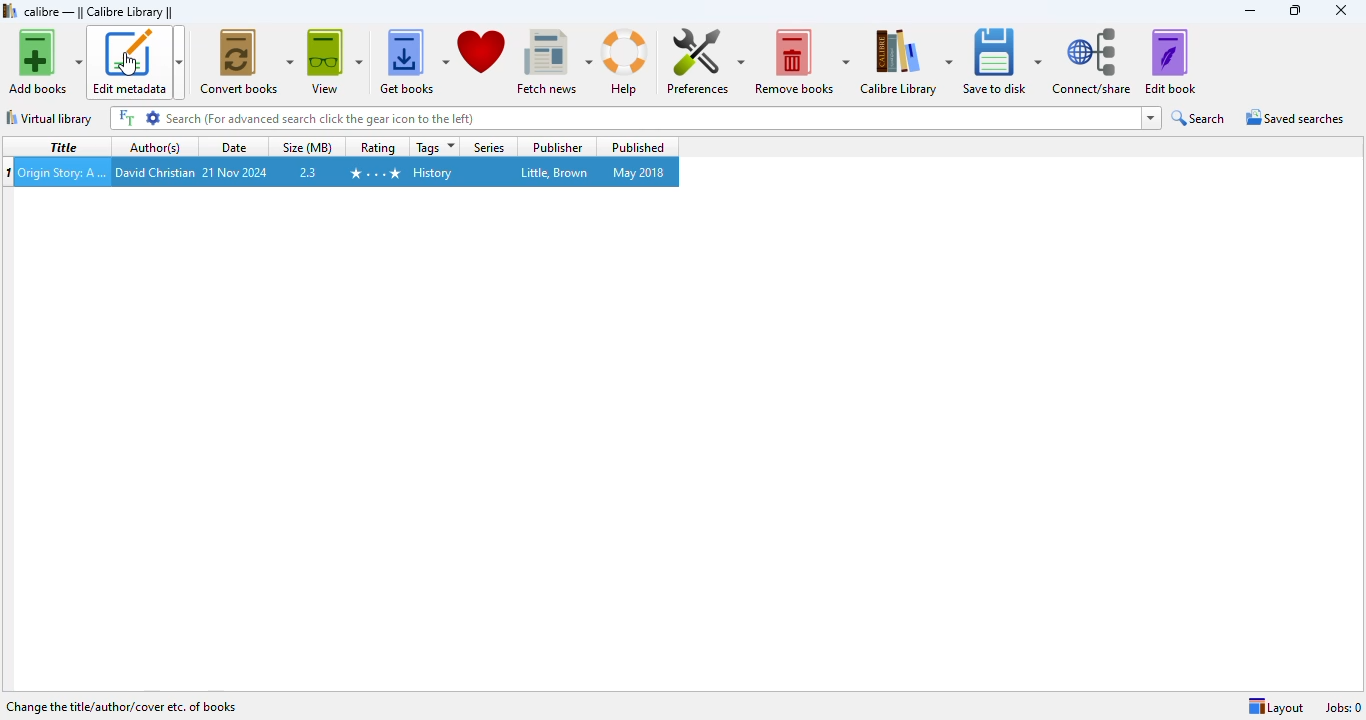 The width and height of the screenshot is (1366, 720). Describe the element at coordinates (906, 61) in the screenshot. I see `calibre library` at that location.